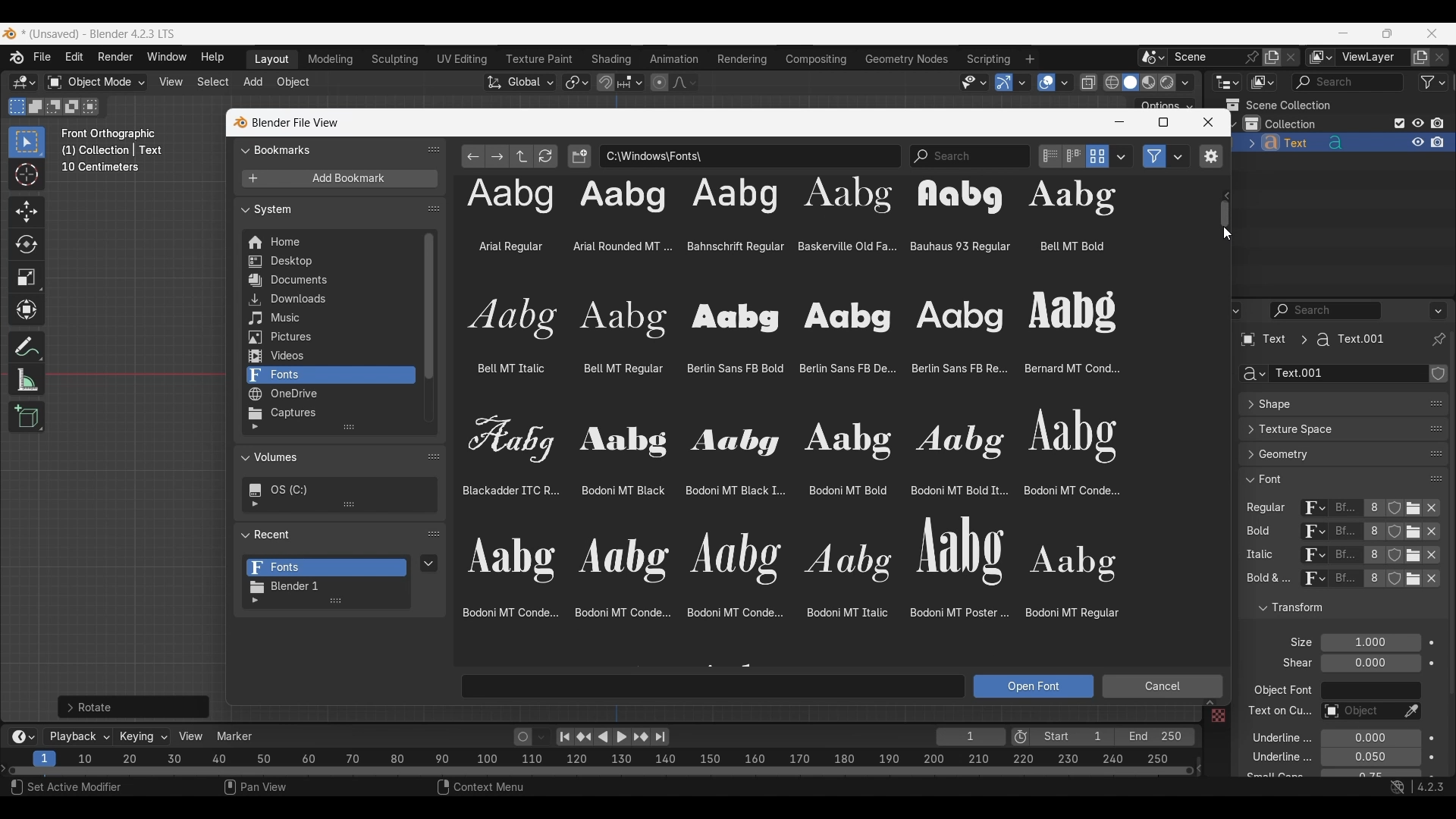 Image resolution: width=1456 pixels, height=819 pixels. What do you see at coordinates (1163, 122) in the screenshot?
I see `Maximize` at bounding box center [1163, 122].